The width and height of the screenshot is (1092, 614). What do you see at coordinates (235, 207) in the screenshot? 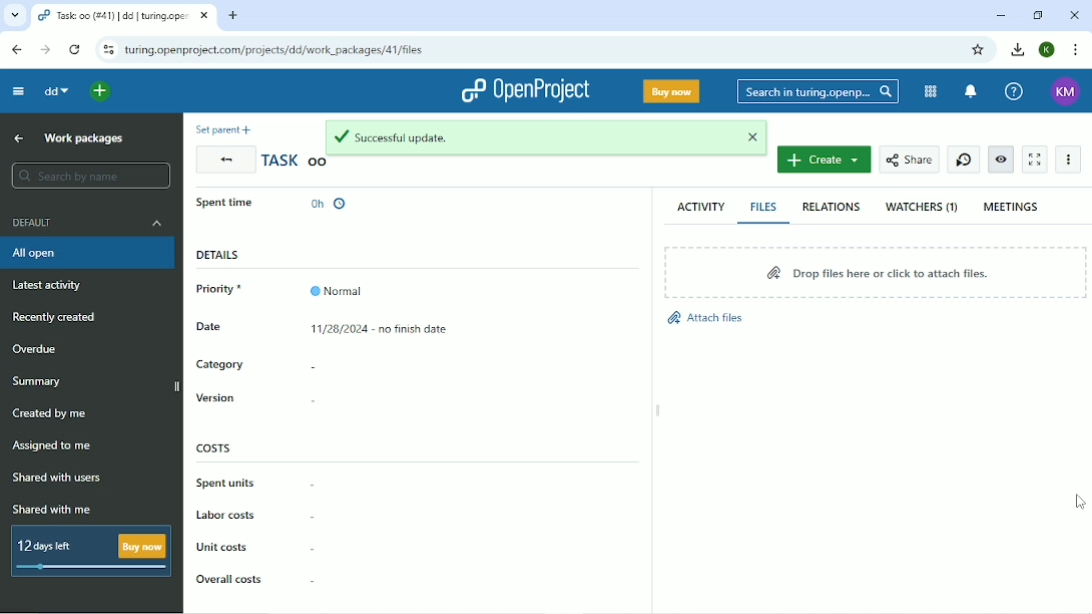
I see `In progress` at bounding box center [235, 207].